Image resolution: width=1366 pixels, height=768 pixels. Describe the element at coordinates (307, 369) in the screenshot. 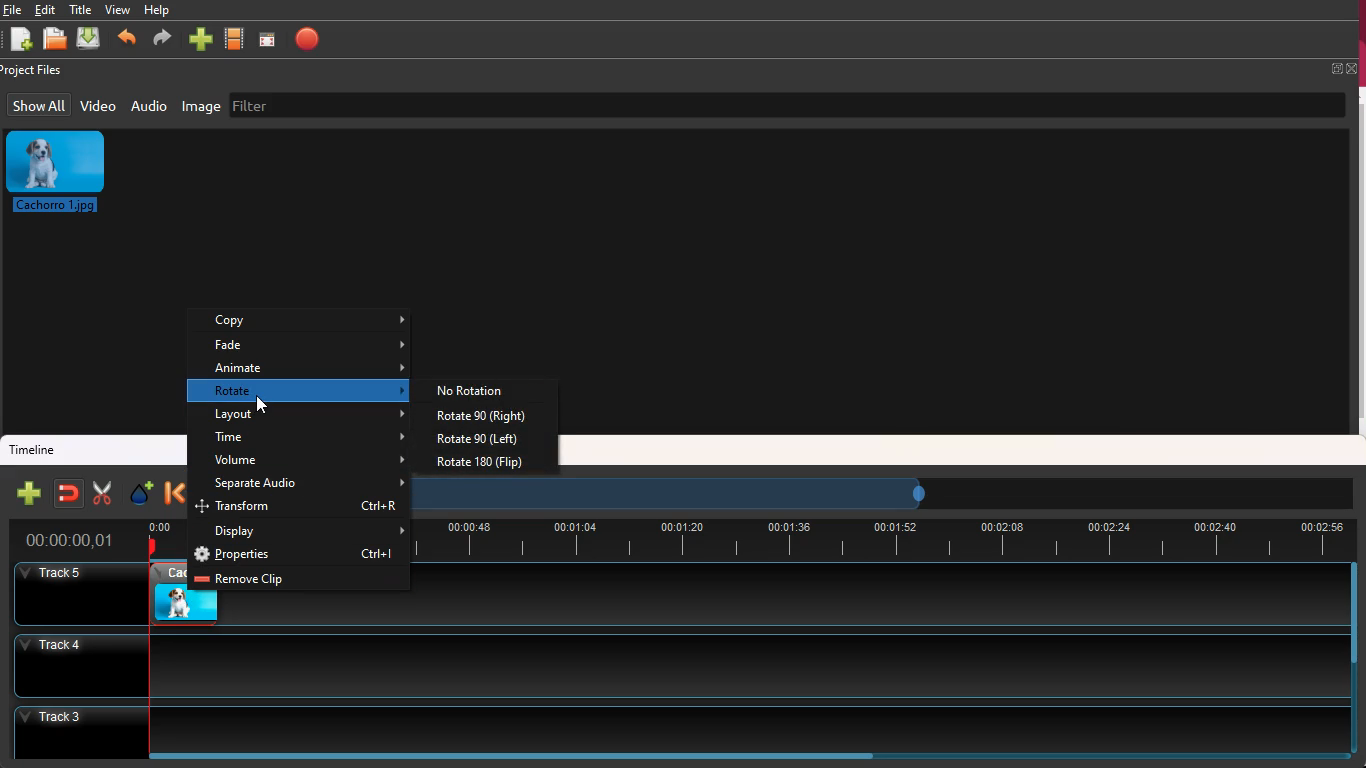

I see `animate` at that location.